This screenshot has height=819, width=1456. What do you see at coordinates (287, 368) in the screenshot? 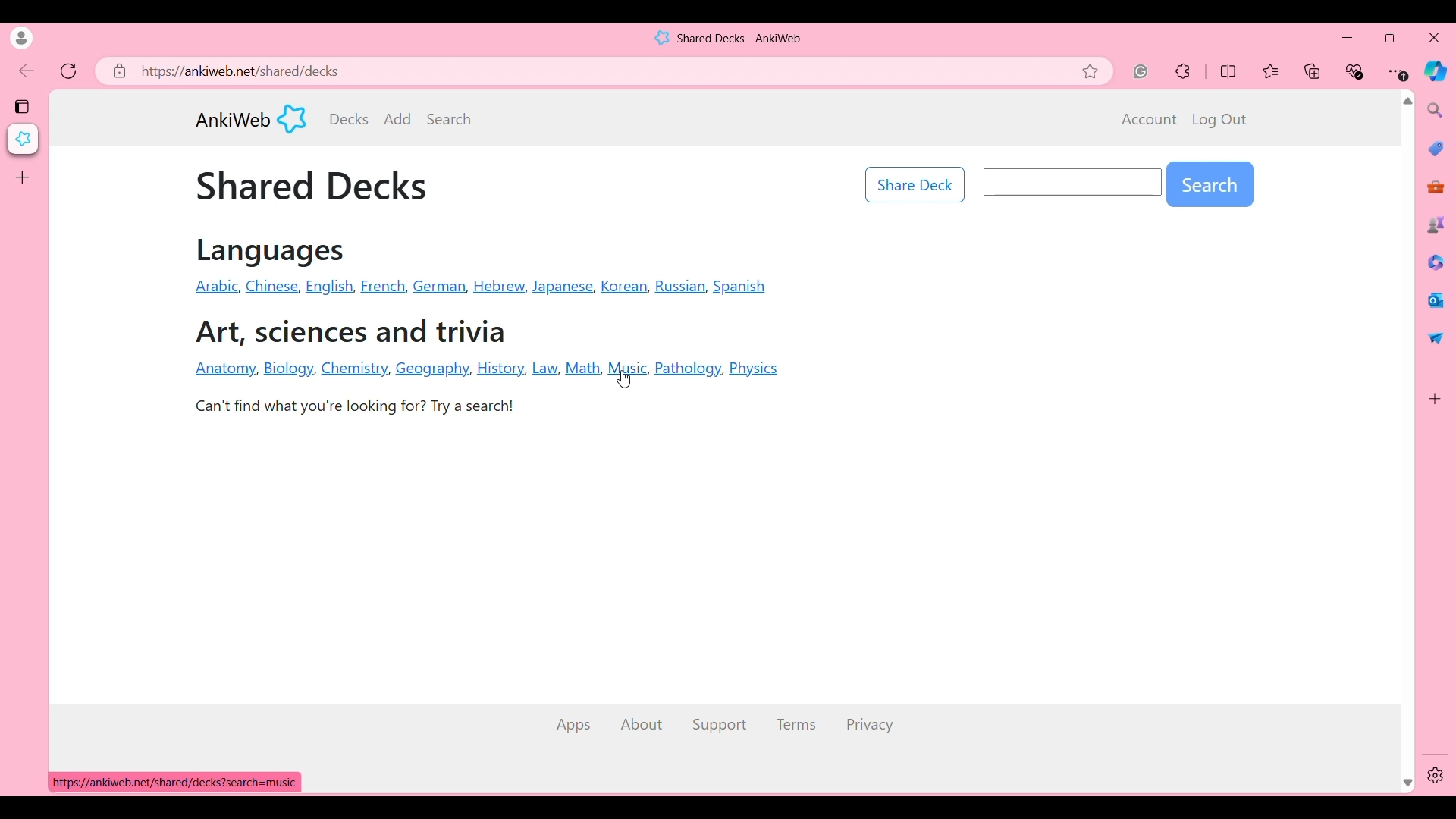
I see `Biology.` at bounding box center [287, 368].